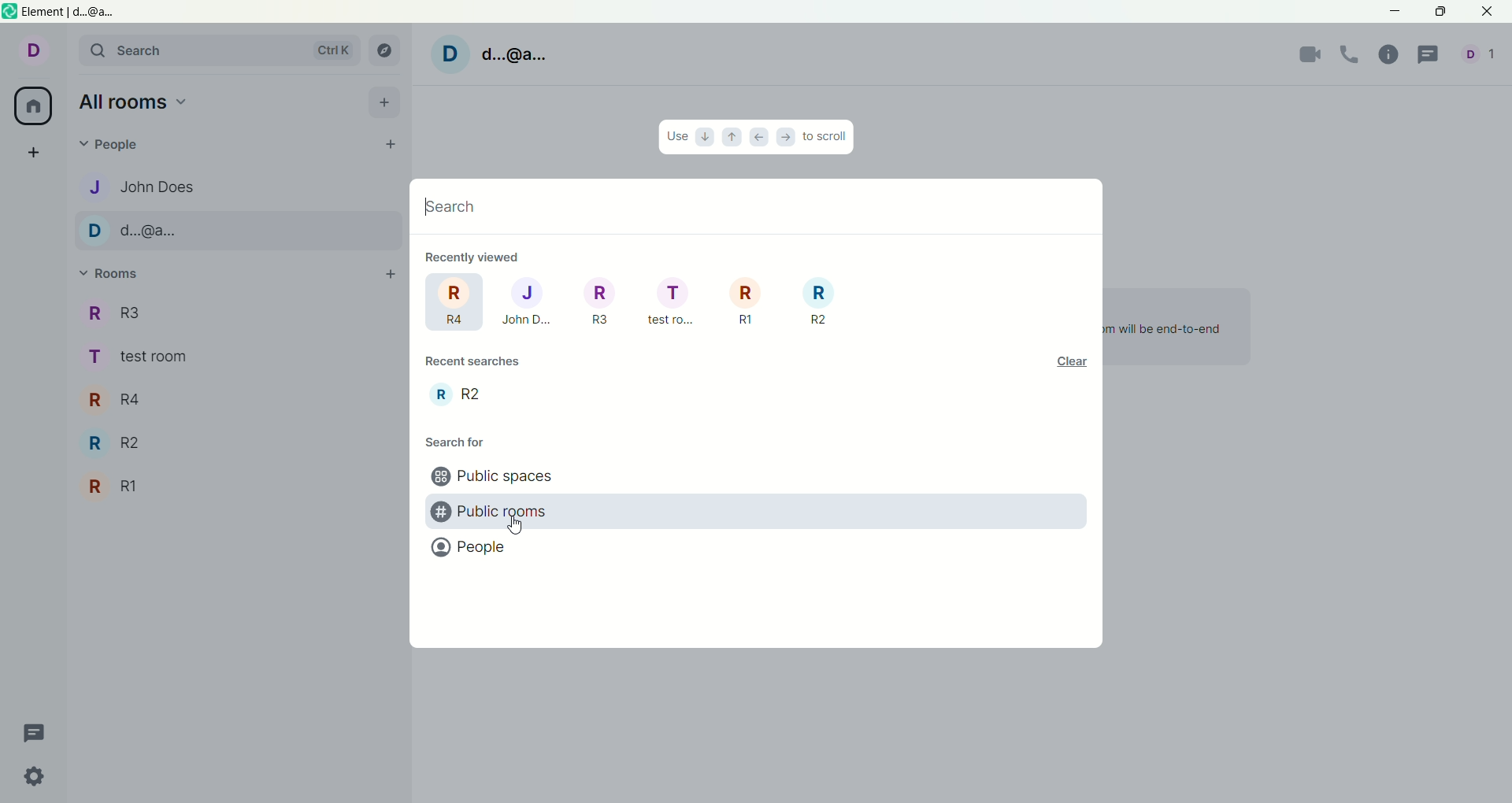 The image size is (1512, 803). What do you see at coordinates (387, 102) in the screenshot?
I see `add` at bounding box center [387, 102].